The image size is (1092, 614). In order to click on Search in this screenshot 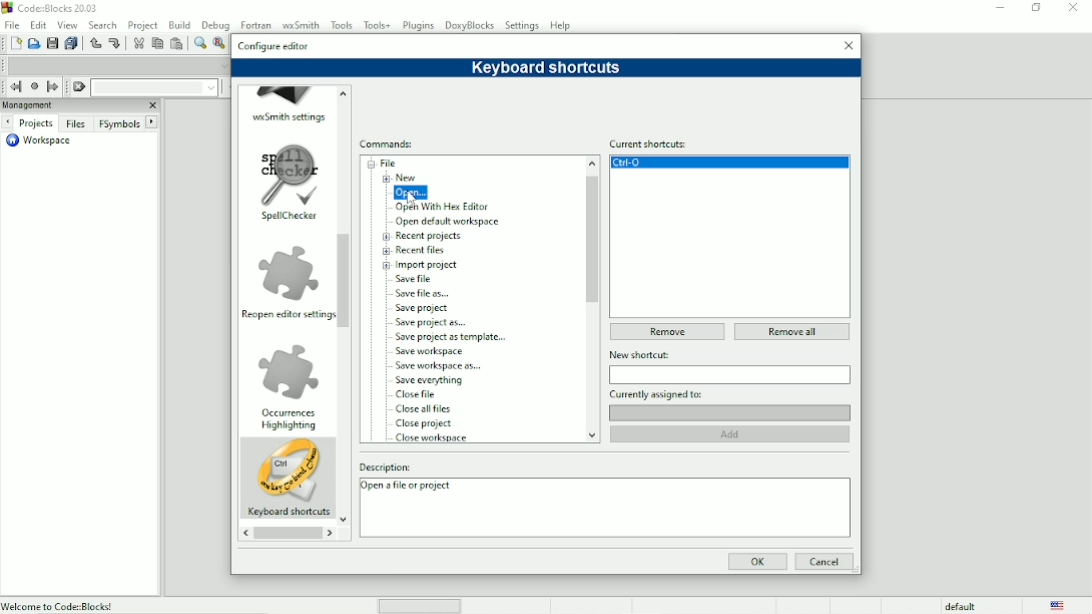, I will do `click(104, 24)`.